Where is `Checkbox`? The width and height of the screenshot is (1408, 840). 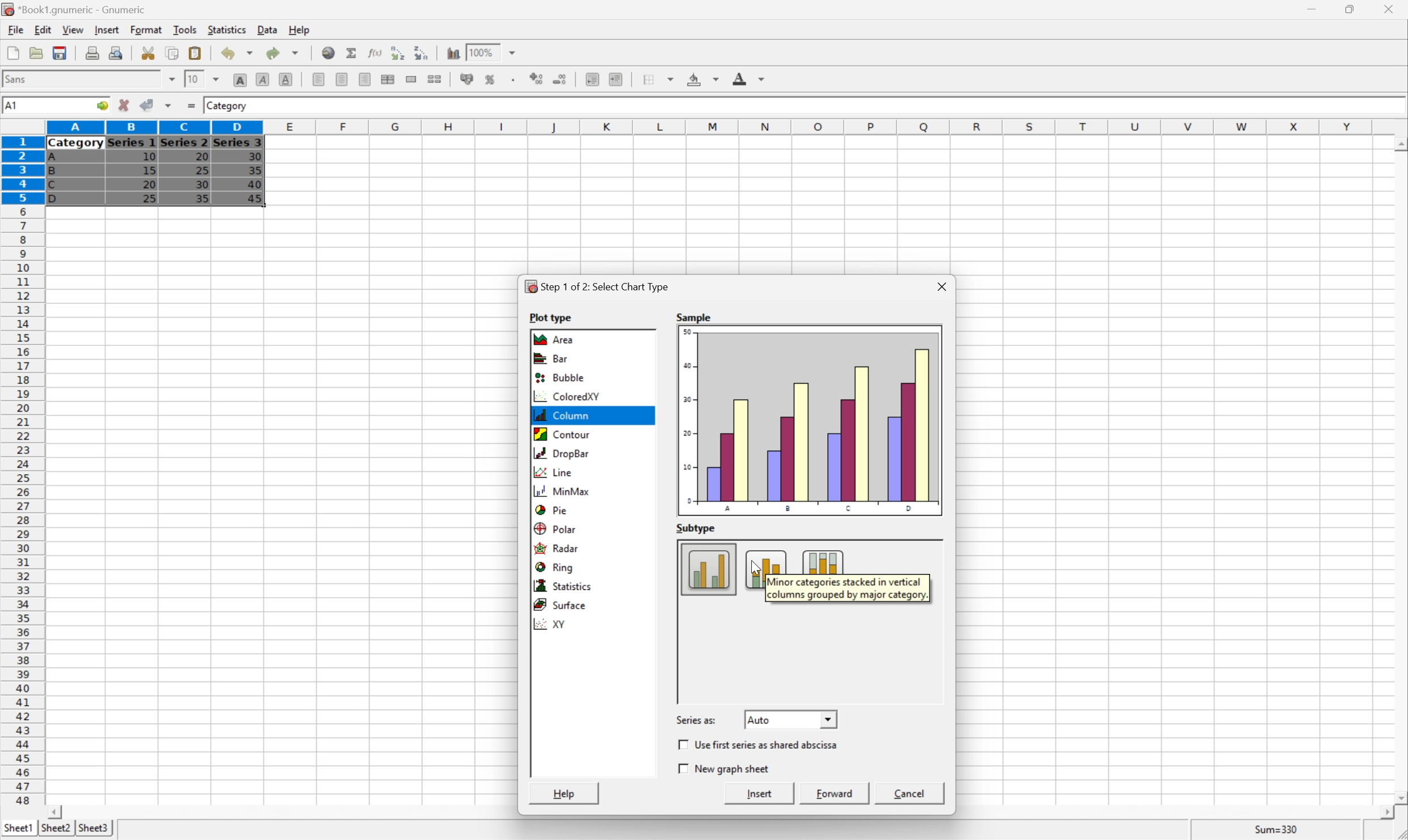 Checkbox is located at coordinates (681, 767).